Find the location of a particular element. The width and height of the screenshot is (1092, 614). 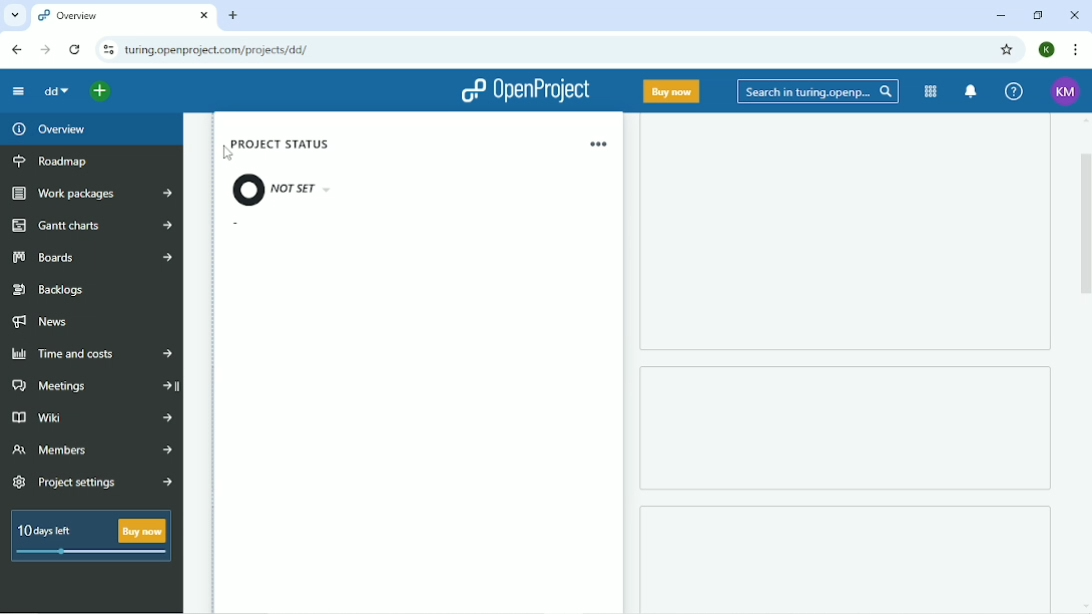

Boards is located at coordinates (89, 258).